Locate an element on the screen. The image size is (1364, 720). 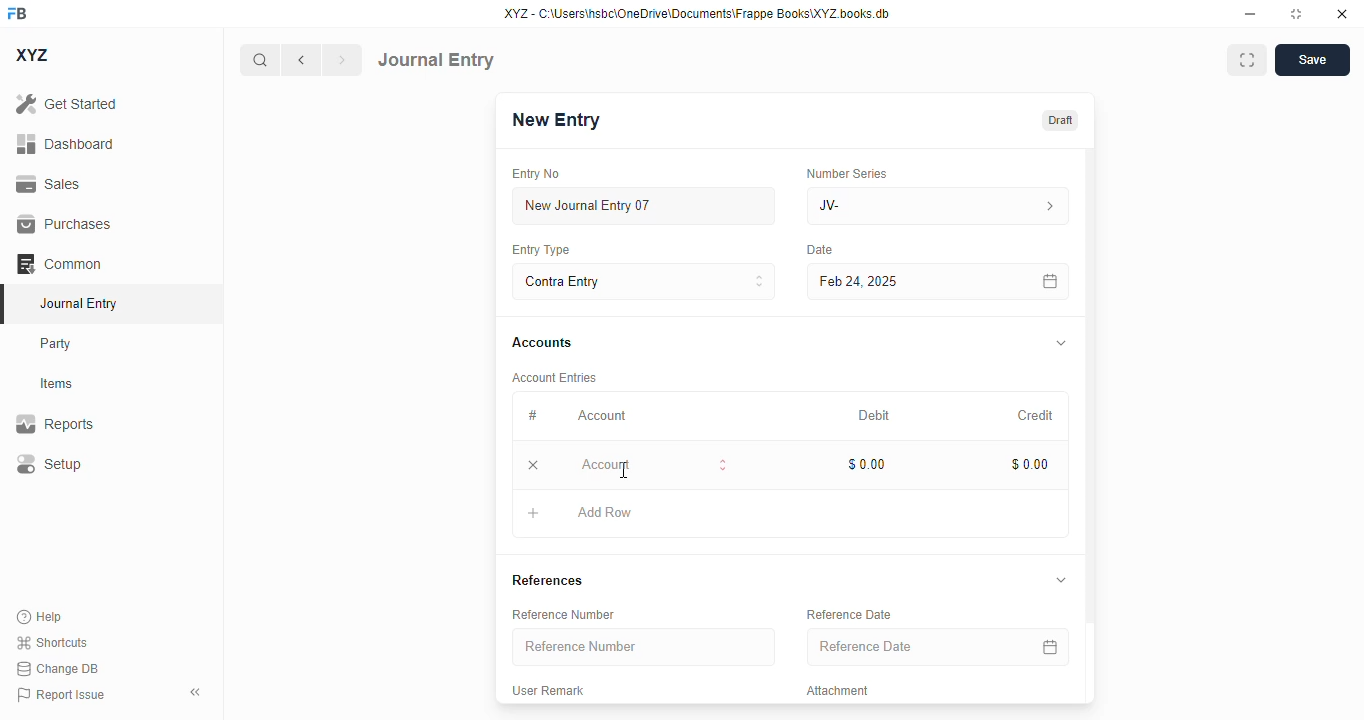
add row  is located at coordinates (605, 512).